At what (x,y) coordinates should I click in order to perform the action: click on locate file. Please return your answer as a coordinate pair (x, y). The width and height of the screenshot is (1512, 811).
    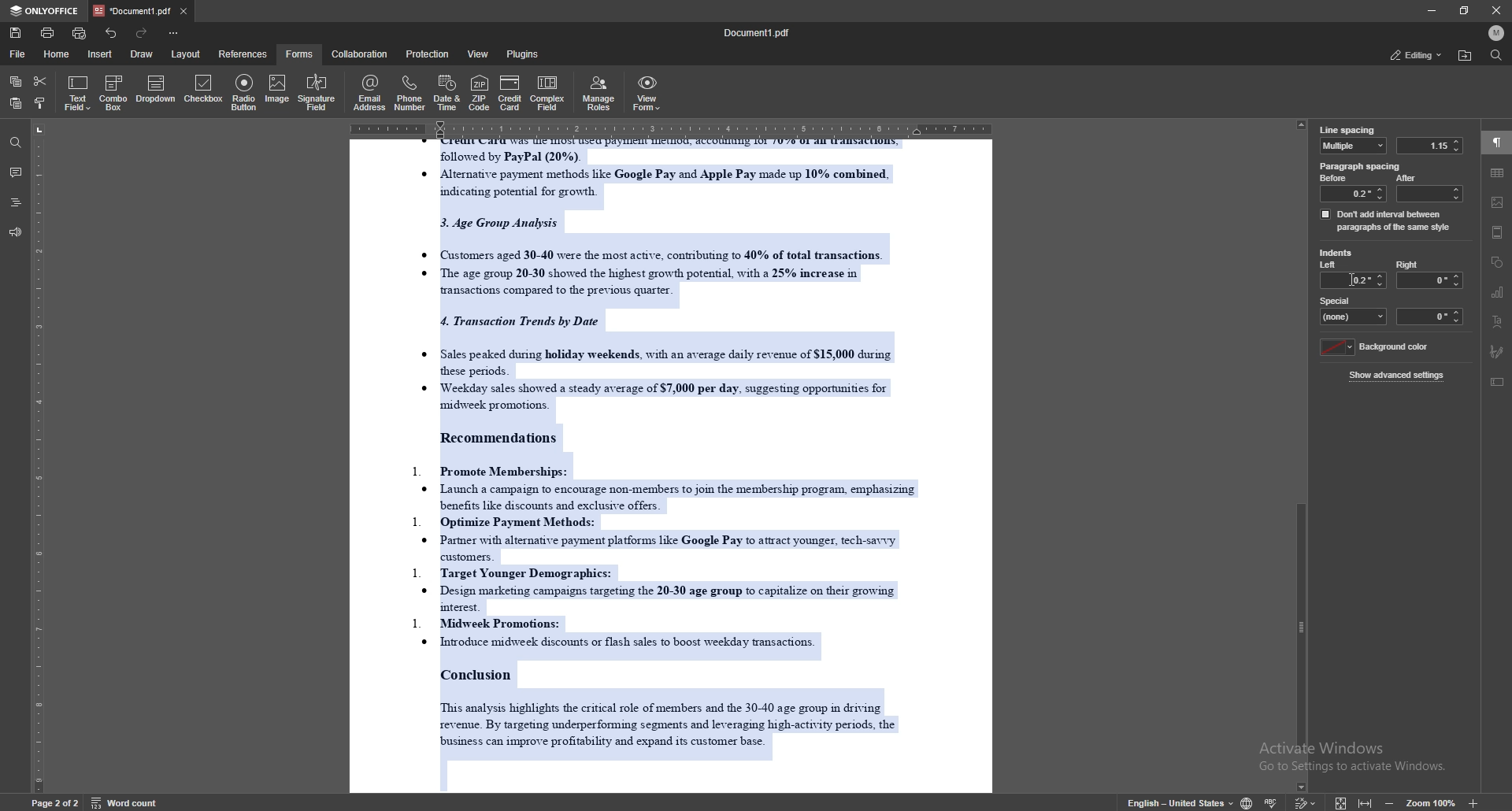
    Looking at the image, I should click on (1465, 56).